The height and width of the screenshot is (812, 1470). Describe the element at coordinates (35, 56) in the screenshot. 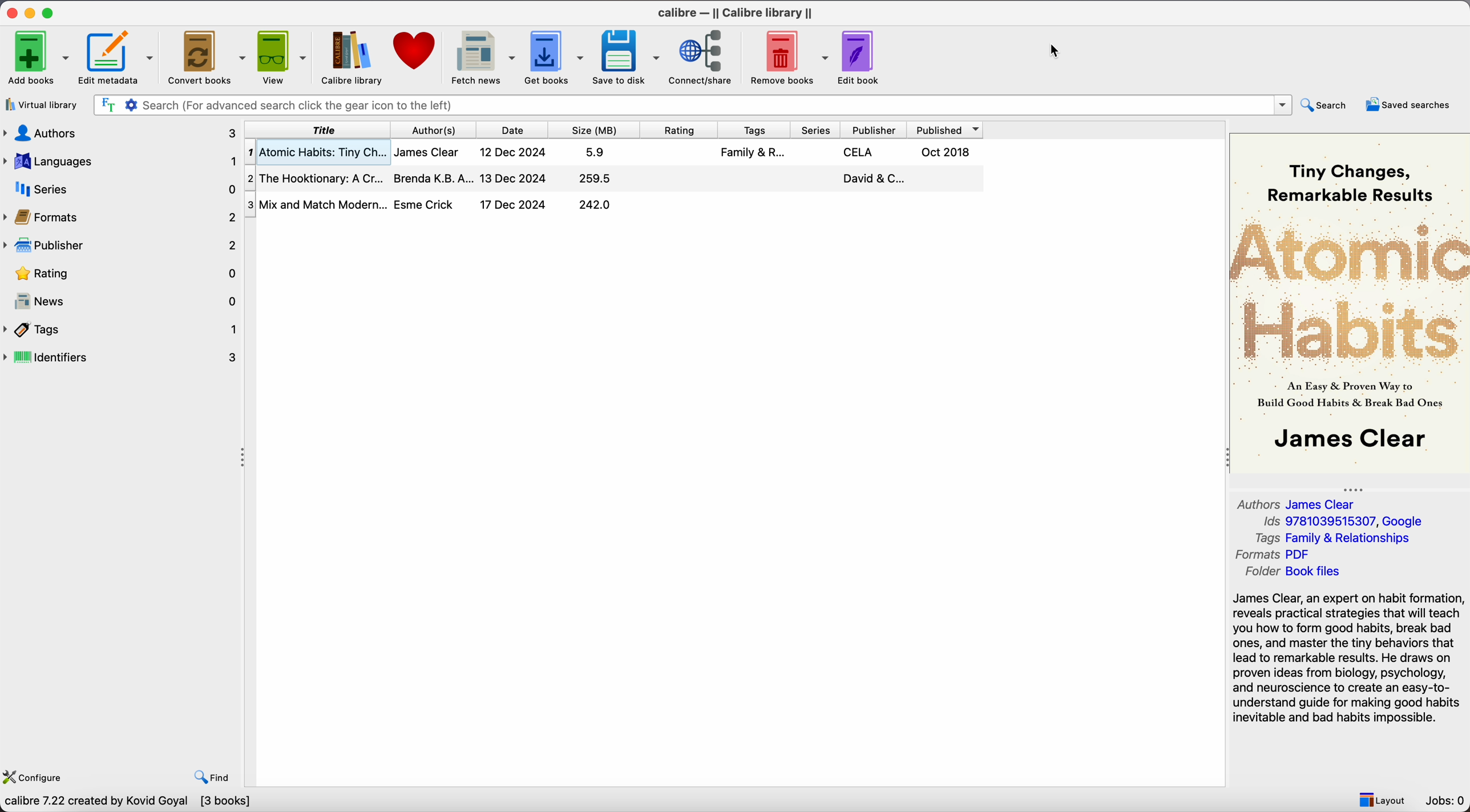

I see `add books` at that location.